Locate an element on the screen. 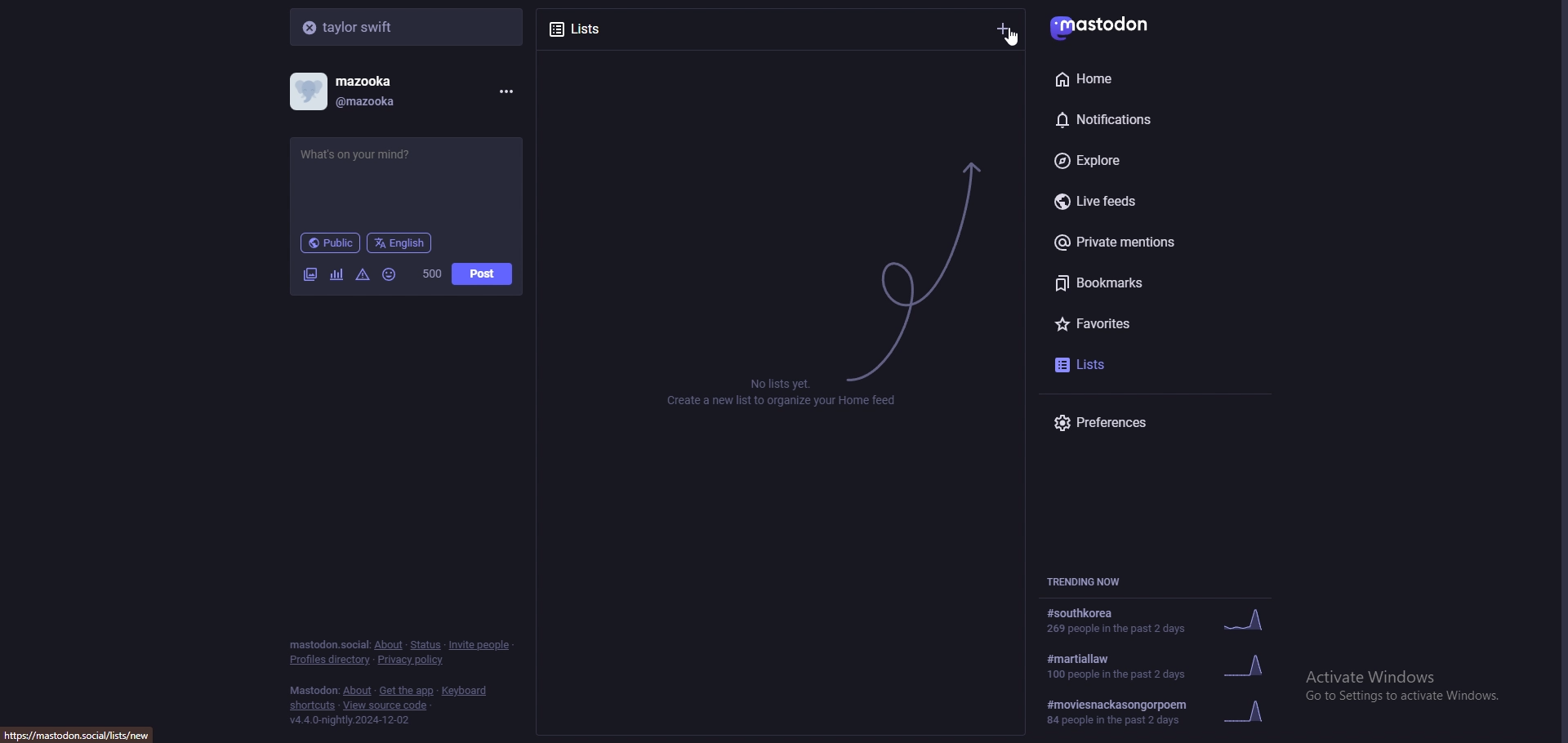  get the app is located at coordinates (407, 691).